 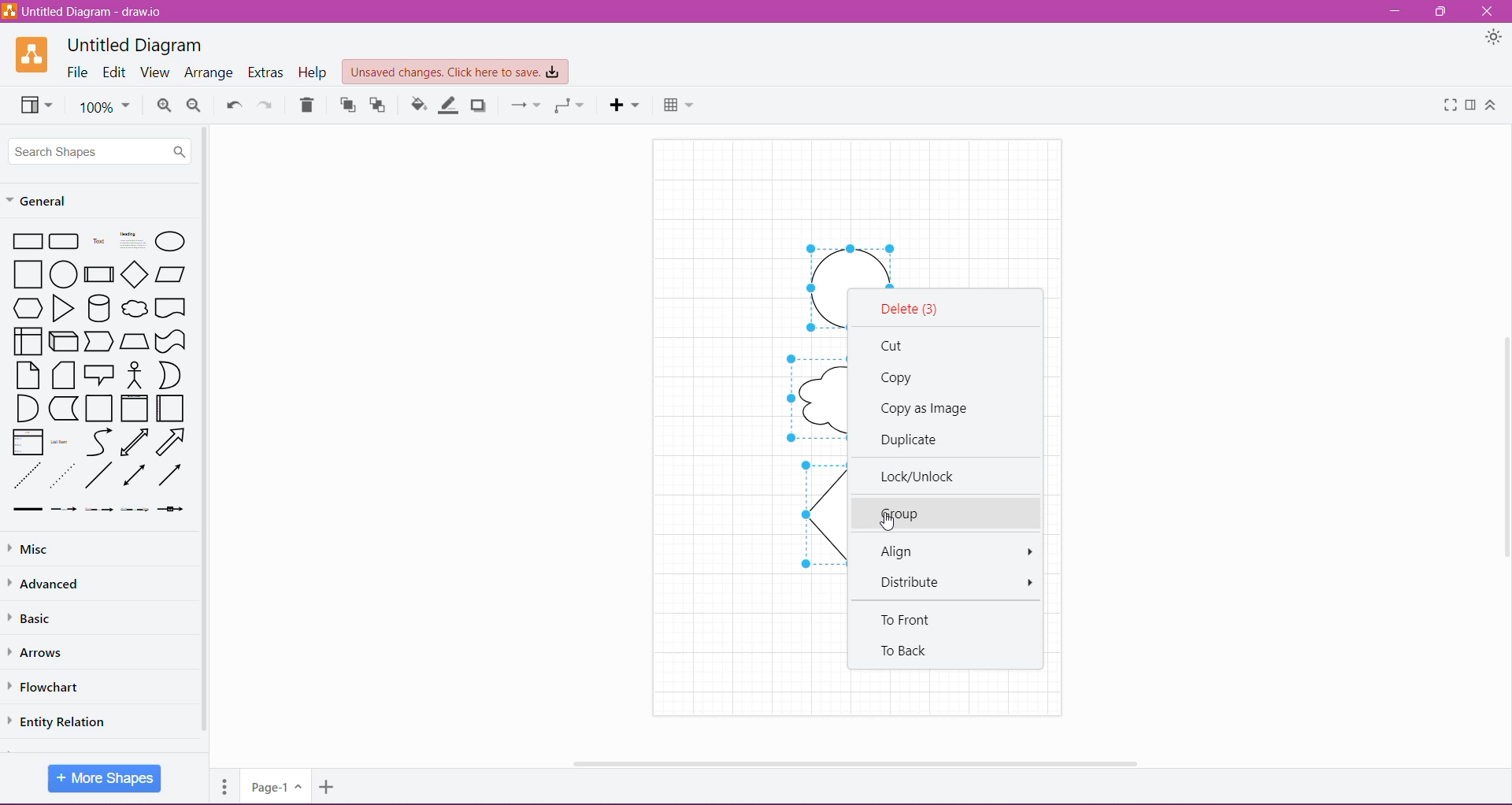 What do you see at coordinates (1443, 11) in the screenshot?
I see `Restore Down` at bounding box center [1443, 11].